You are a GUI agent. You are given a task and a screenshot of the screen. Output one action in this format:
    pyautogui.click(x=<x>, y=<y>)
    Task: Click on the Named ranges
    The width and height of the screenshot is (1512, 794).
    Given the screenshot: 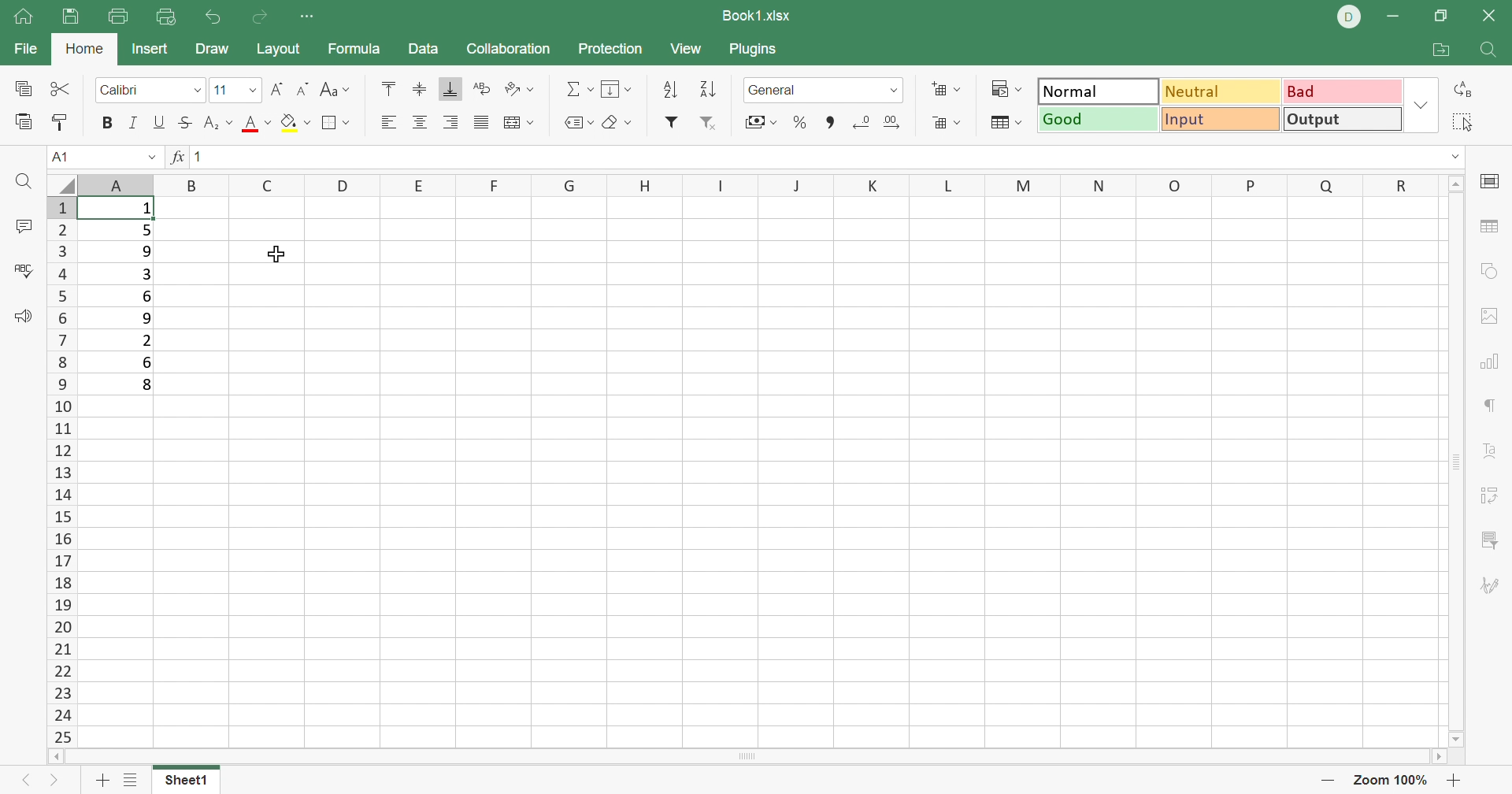 What is the action you would take?
    pyautogui.click(x=579, y=124)
    